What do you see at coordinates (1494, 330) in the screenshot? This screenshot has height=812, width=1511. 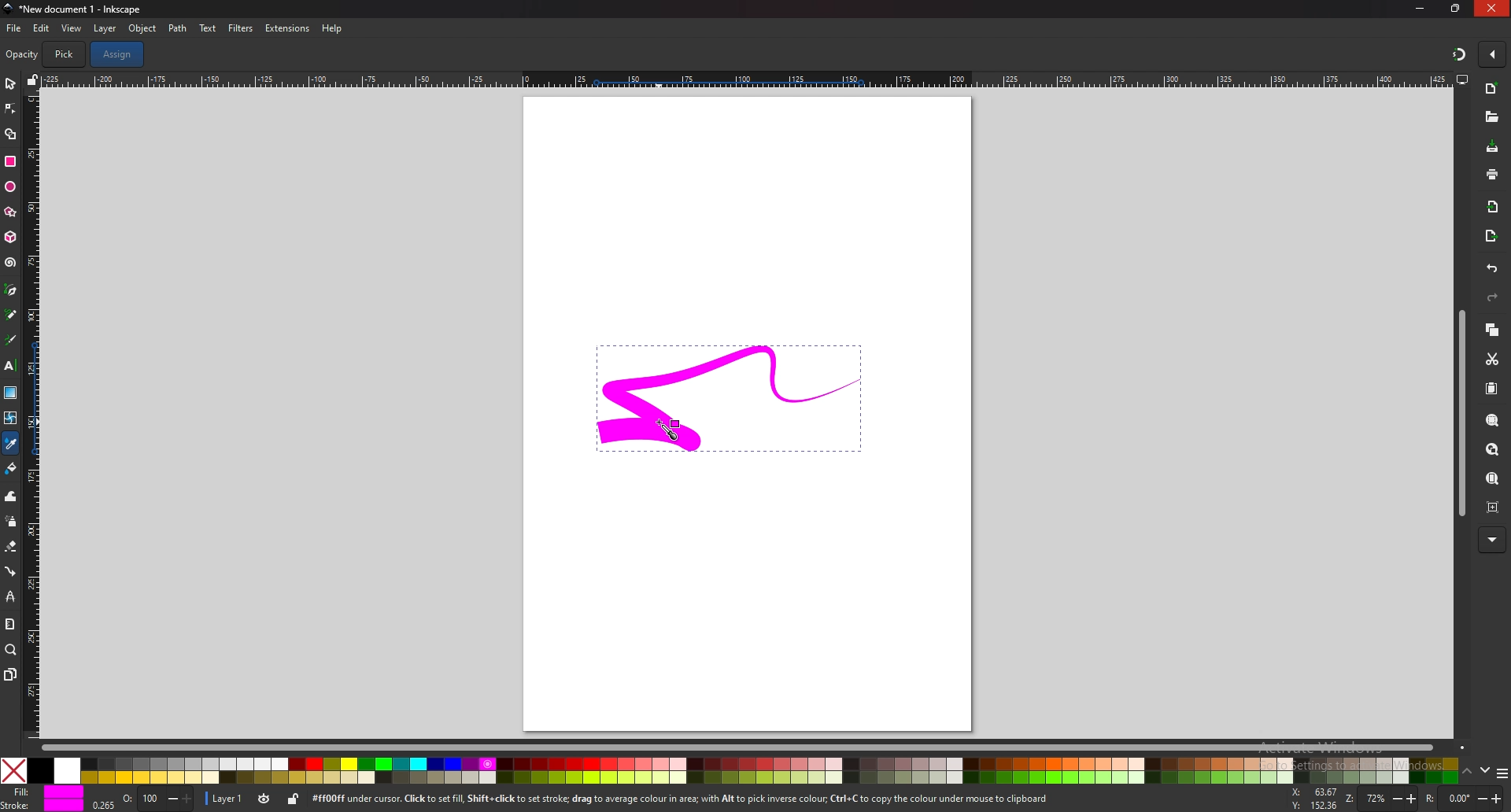 I see `copy` at bounding box center [1494, 330].